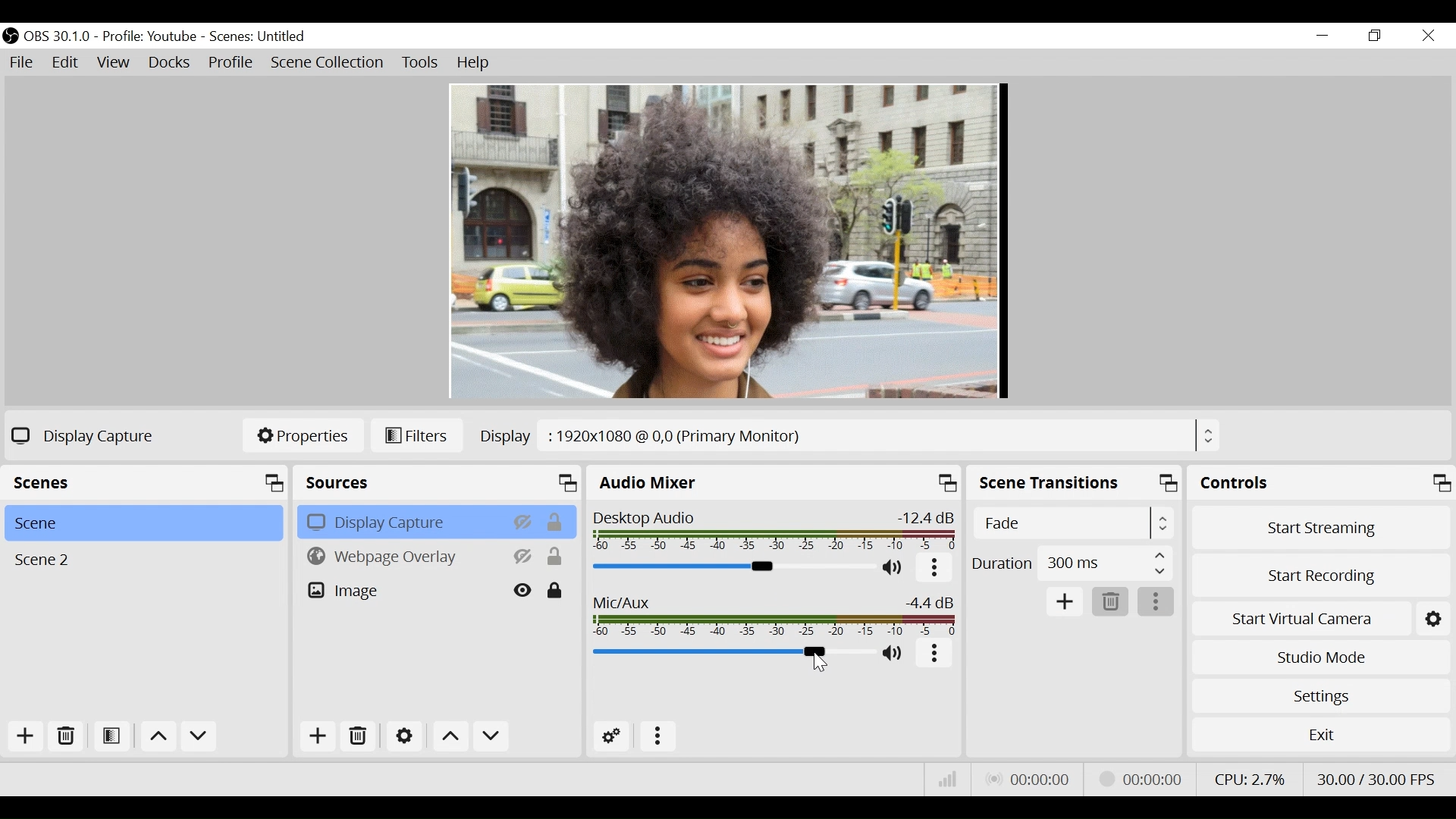 The width and height of the screenshot is (1456, 819). What do you see at coordinates (262, 37) in the screenshot?
I see `Scene name` at bounding box center [262, 37].